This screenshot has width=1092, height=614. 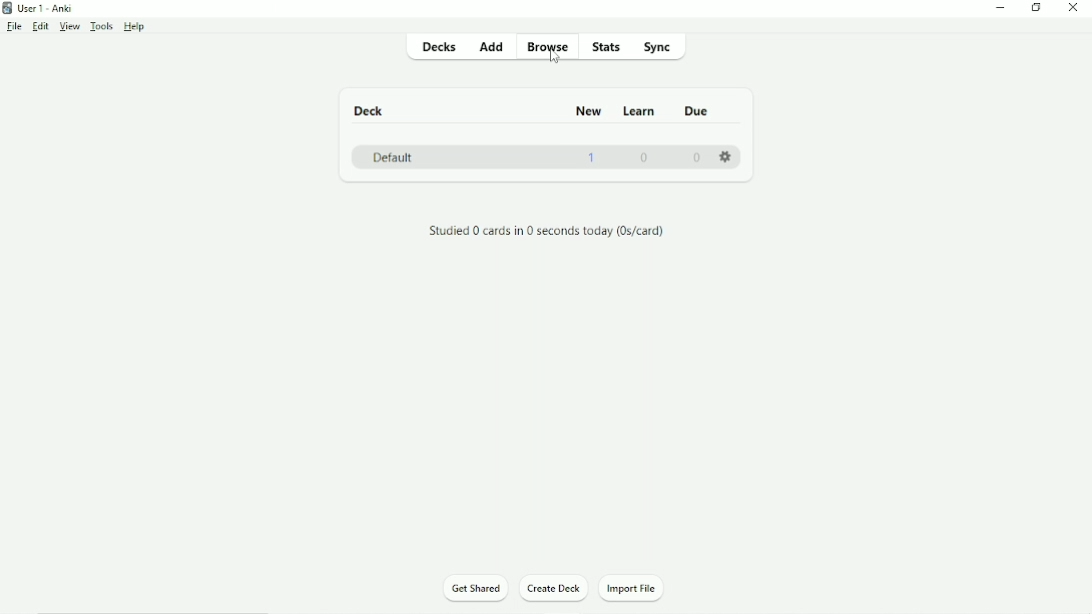 I want to click on Deck, so click(x=367, y=111).